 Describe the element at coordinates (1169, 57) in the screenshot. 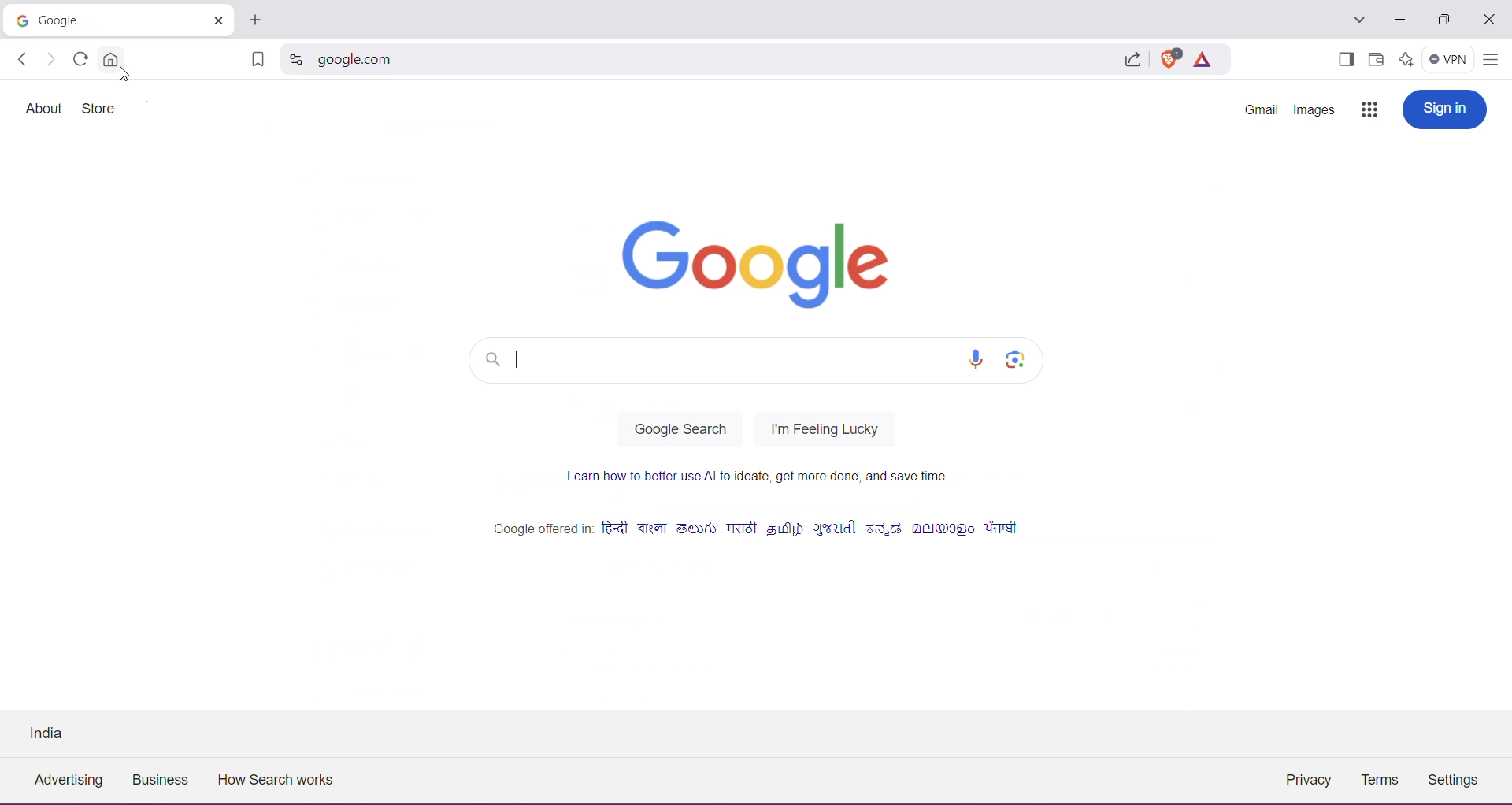

I see `Brave Shields` at that location.